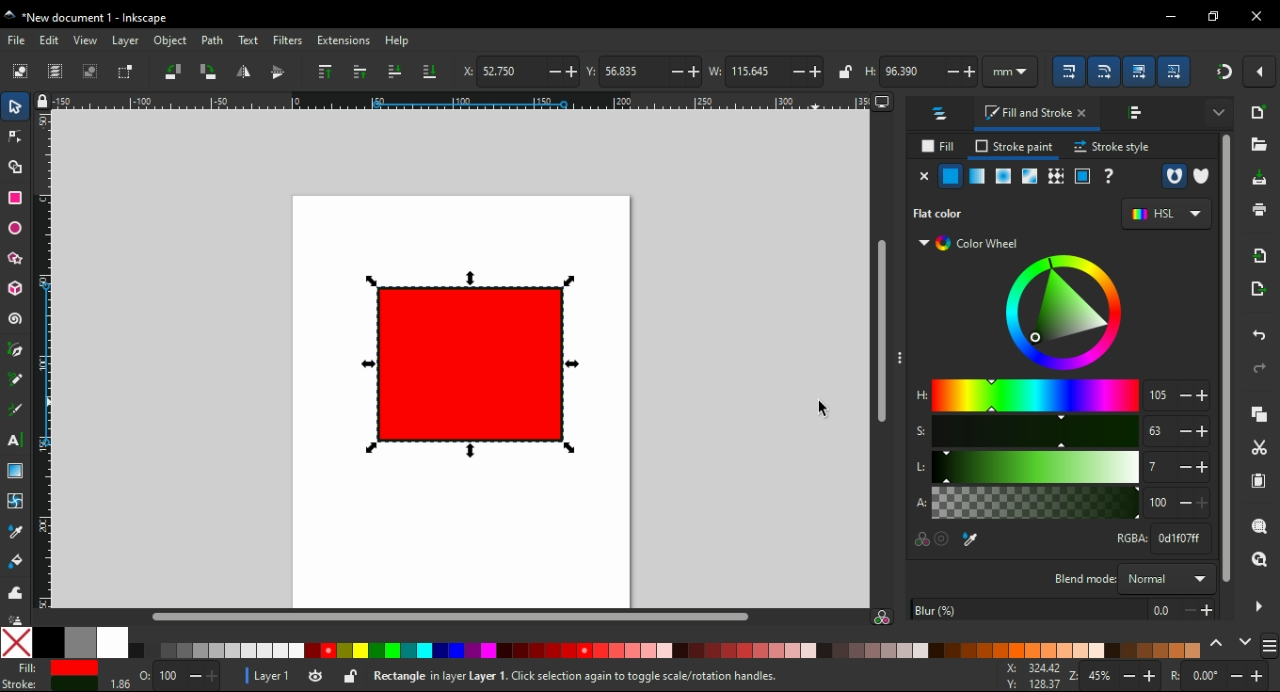  Describe the element at coordinates (1036, 466) in the screenshot. I see `lightness` at that location.